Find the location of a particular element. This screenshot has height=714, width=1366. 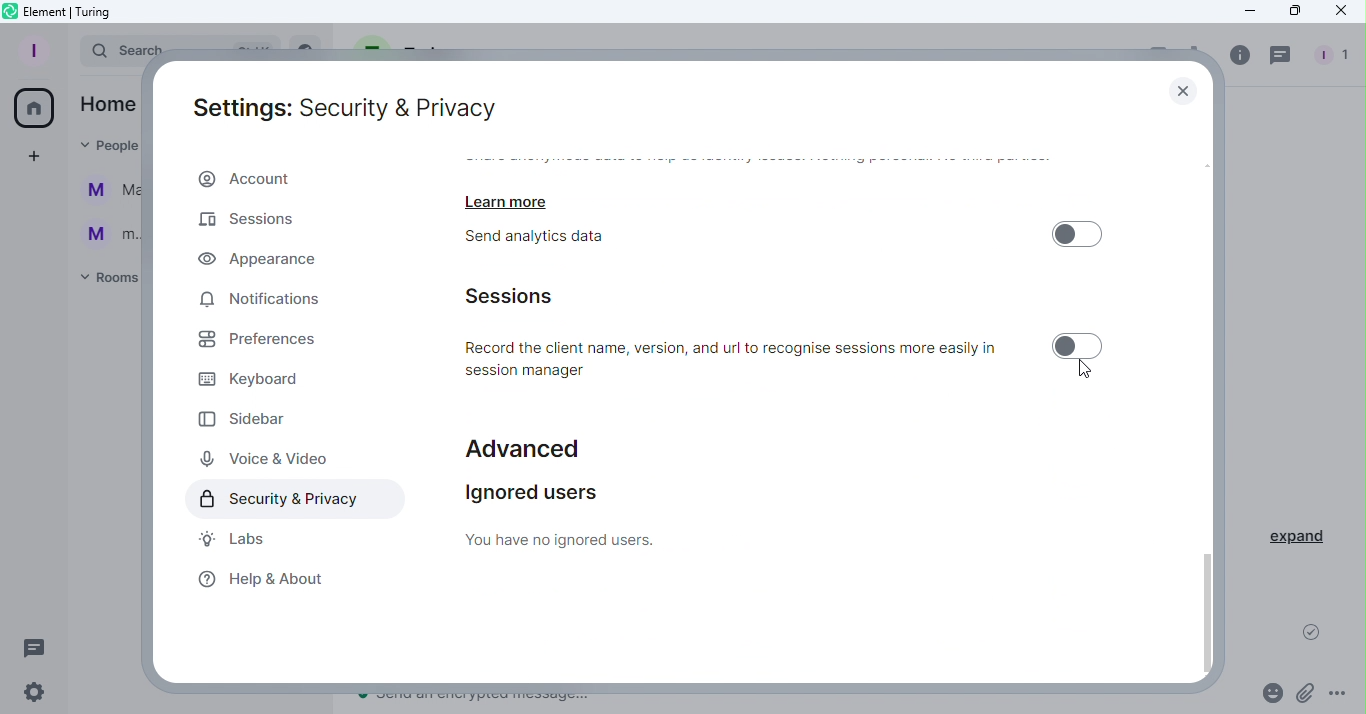

Attachment is located at coordinates (1307, 693).